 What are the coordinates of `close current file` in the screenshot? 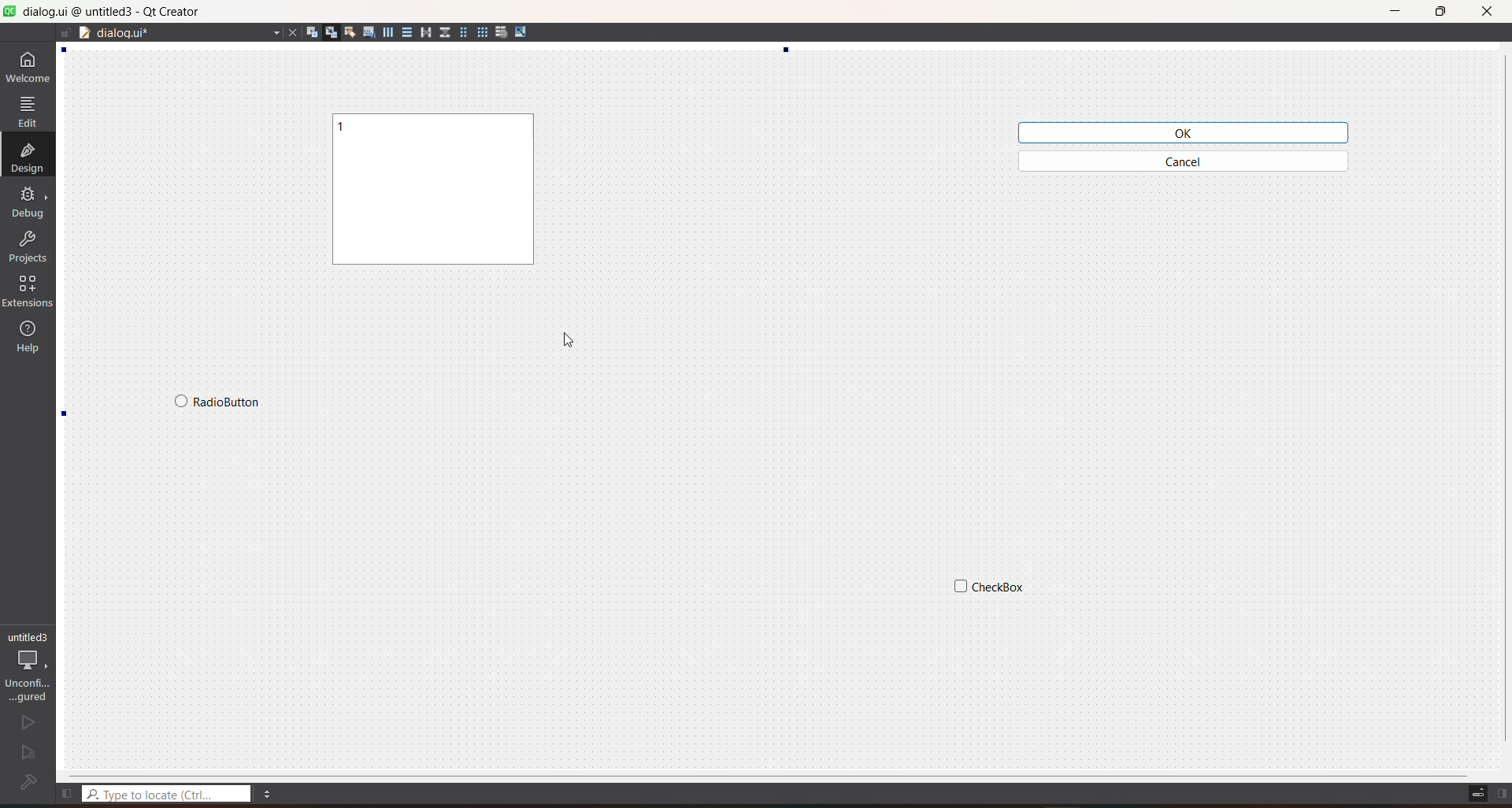 It's located at (290, 35).